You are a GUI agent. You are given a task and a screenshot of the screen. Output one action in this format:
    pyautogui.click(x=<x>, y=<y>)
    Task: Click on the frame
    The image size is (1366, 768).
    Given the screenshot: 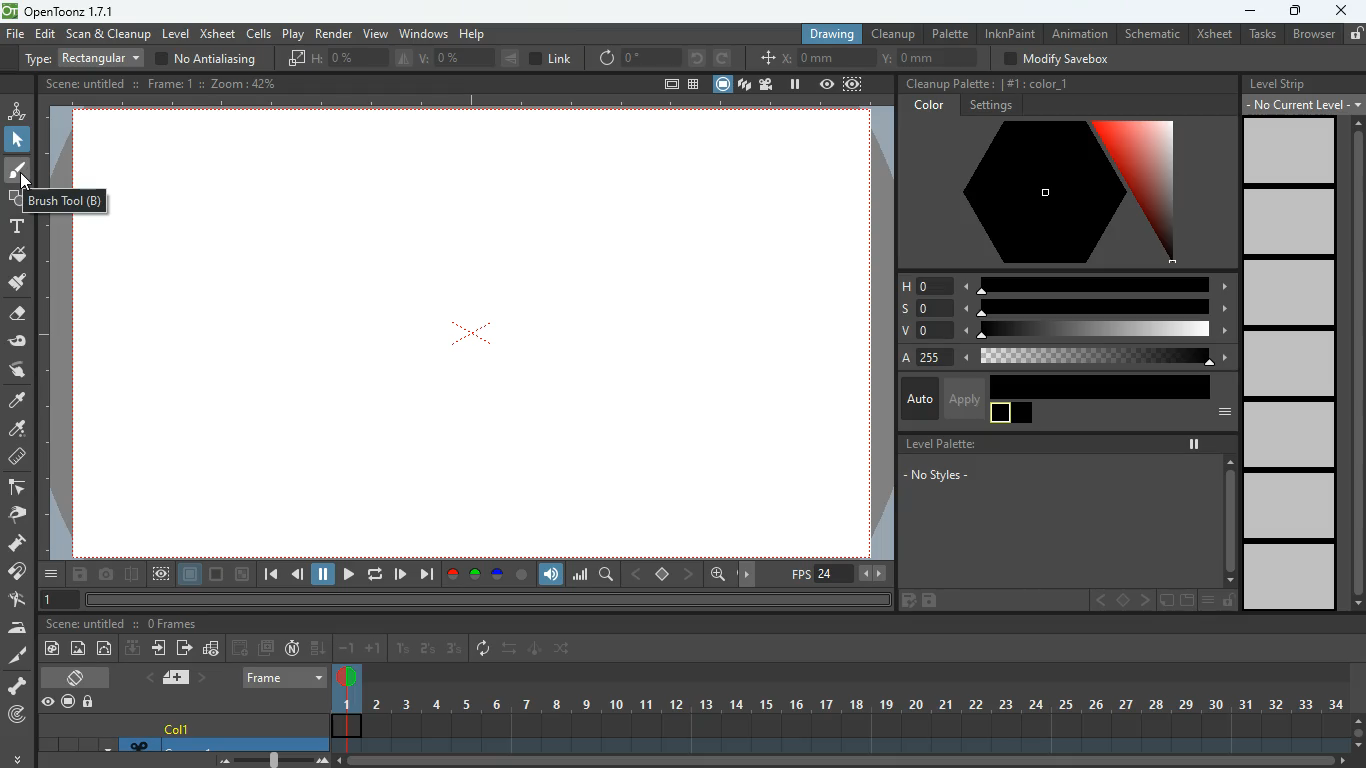 What is the action you would take?
    pyautogui.click(x=161, y=575)
    